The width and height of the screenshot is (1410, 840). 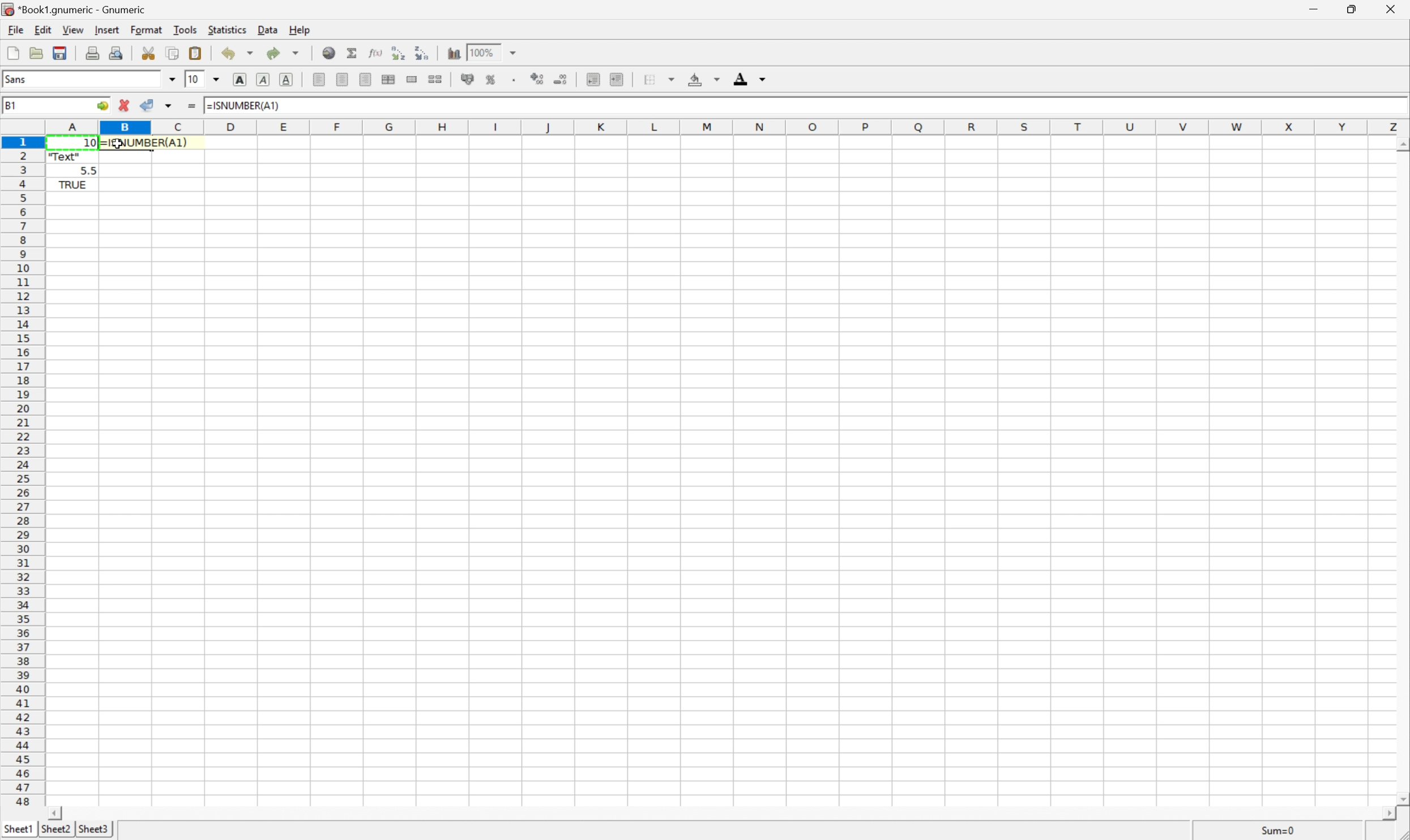 What do you see at coordinates (538, 79) in the screenshot?
I see `Increase number of decimals displayed` at bounding box center [538, 79].